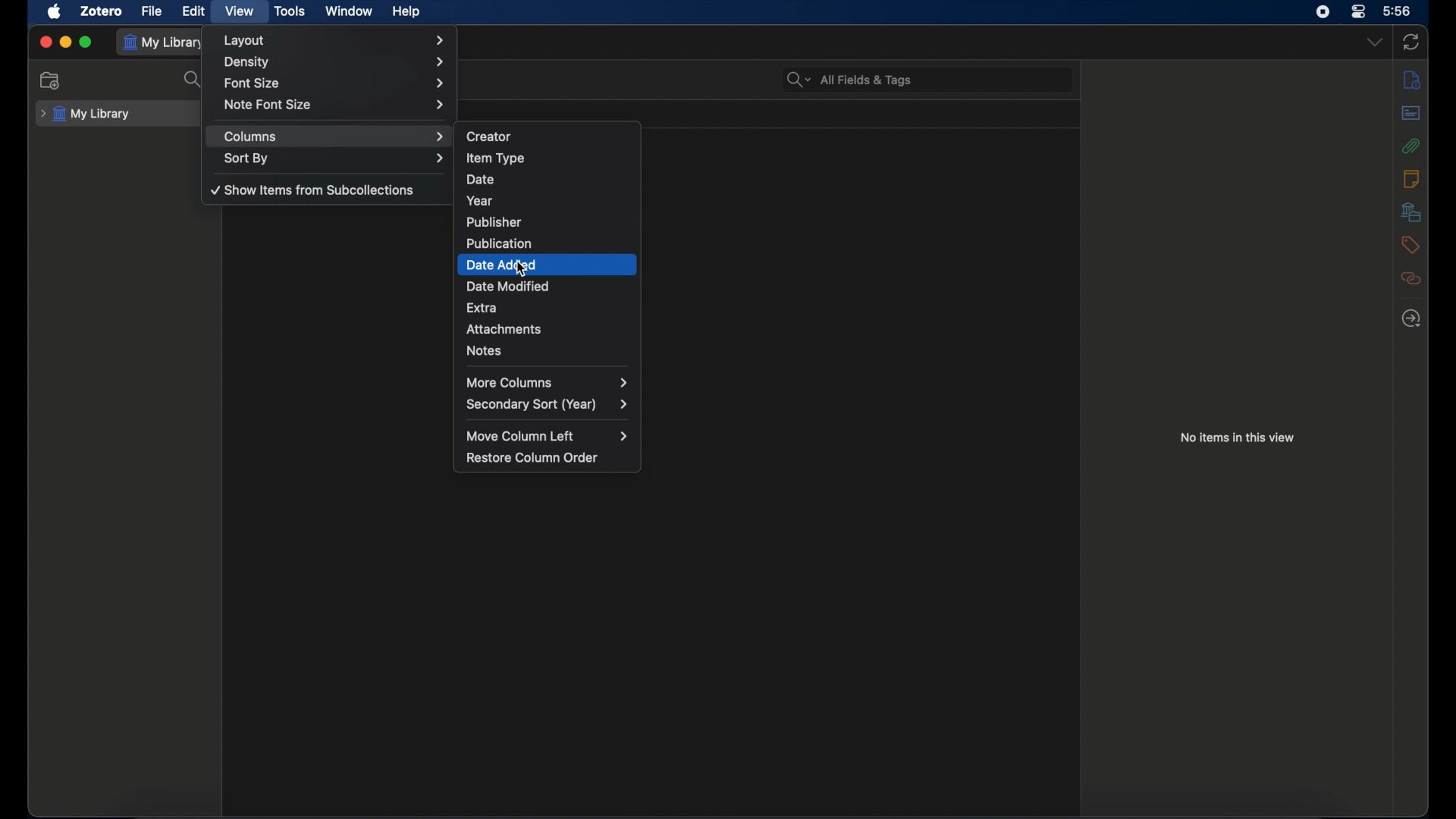  What do you see at coordinates (1398, 11) in the screenshot?
I see `time` at bounding box center [1398, 11].